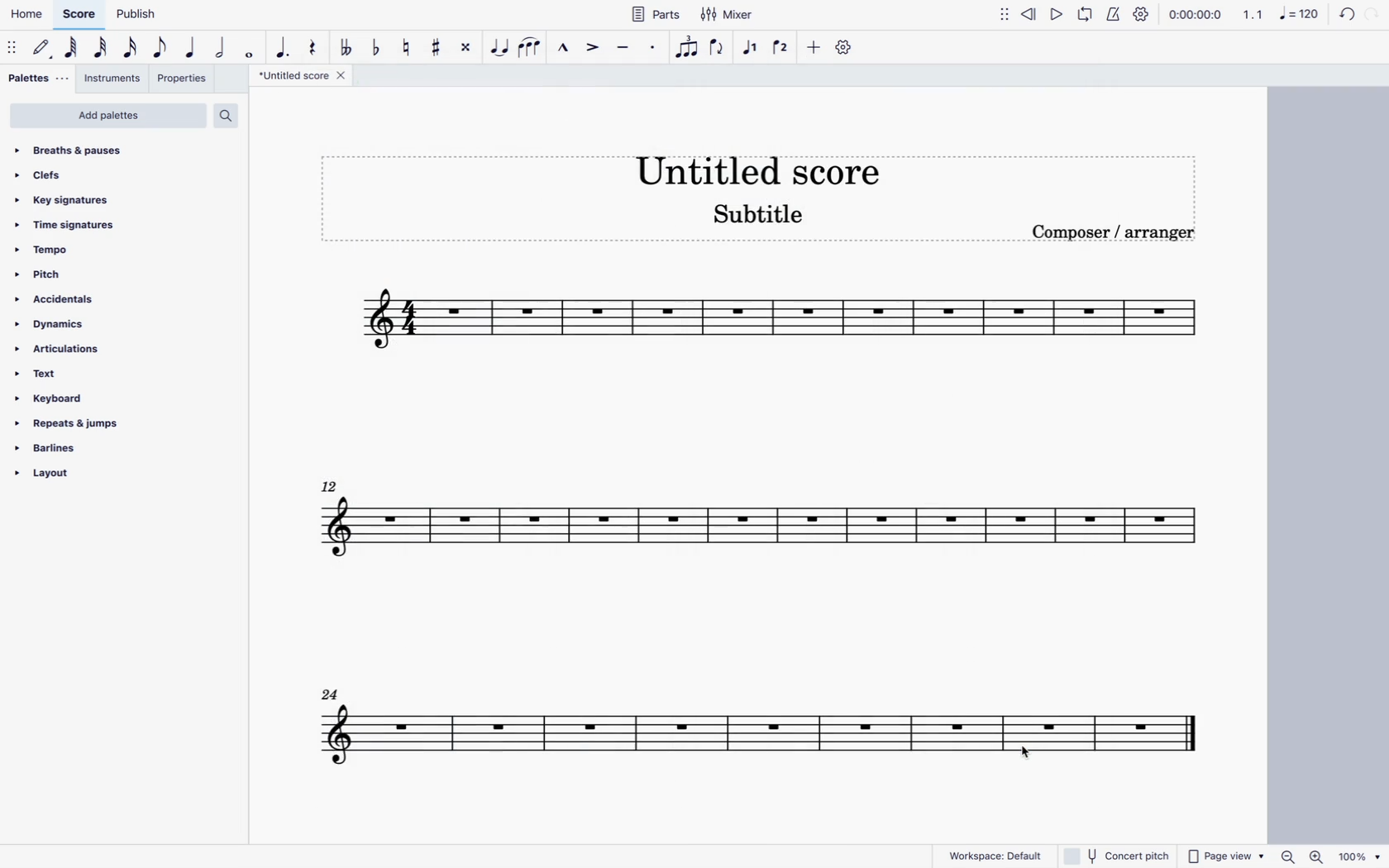  I want to click on volume, so click(1030, 11).